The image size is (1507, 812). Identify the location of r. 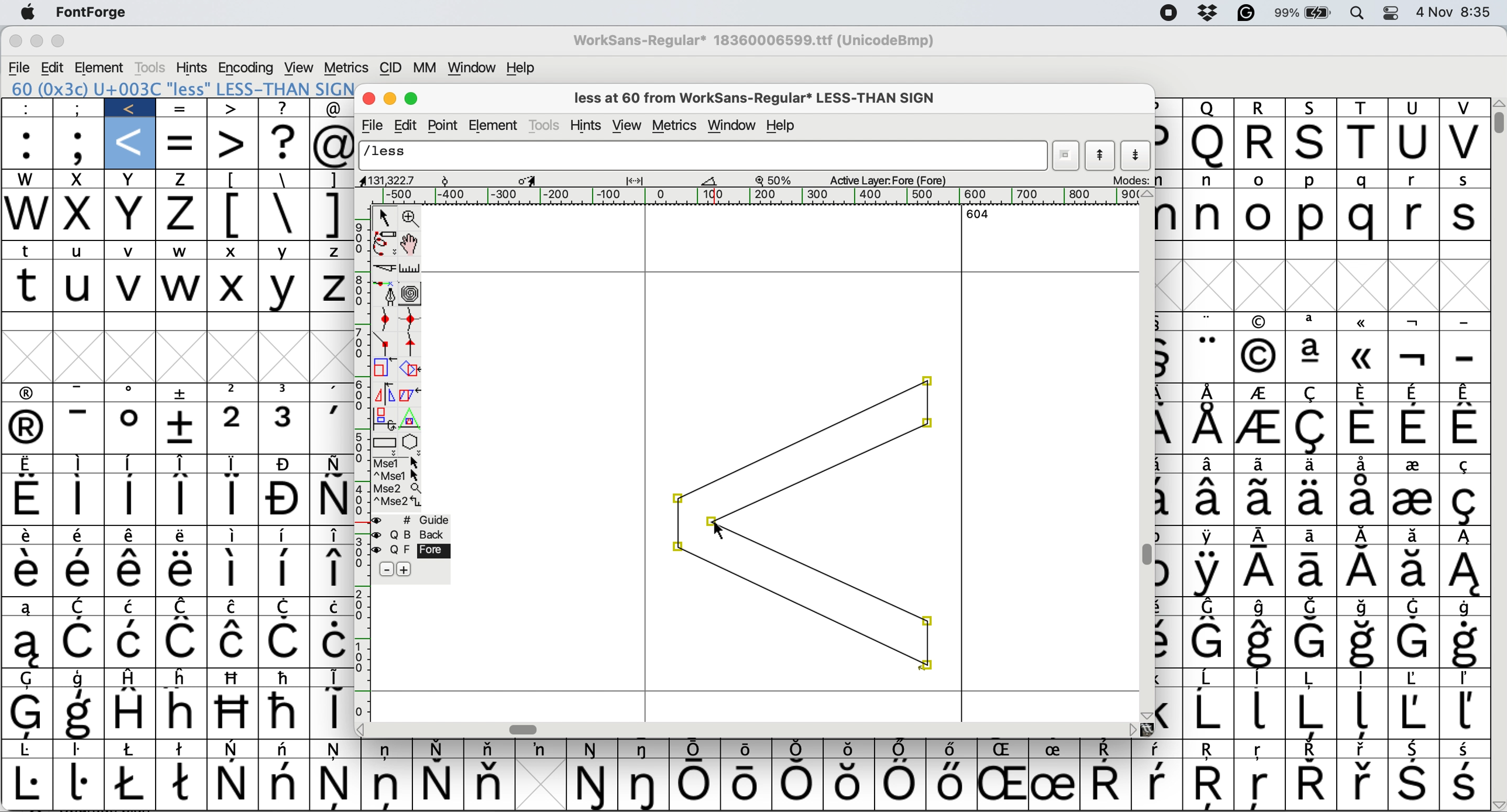
(1414, 180).